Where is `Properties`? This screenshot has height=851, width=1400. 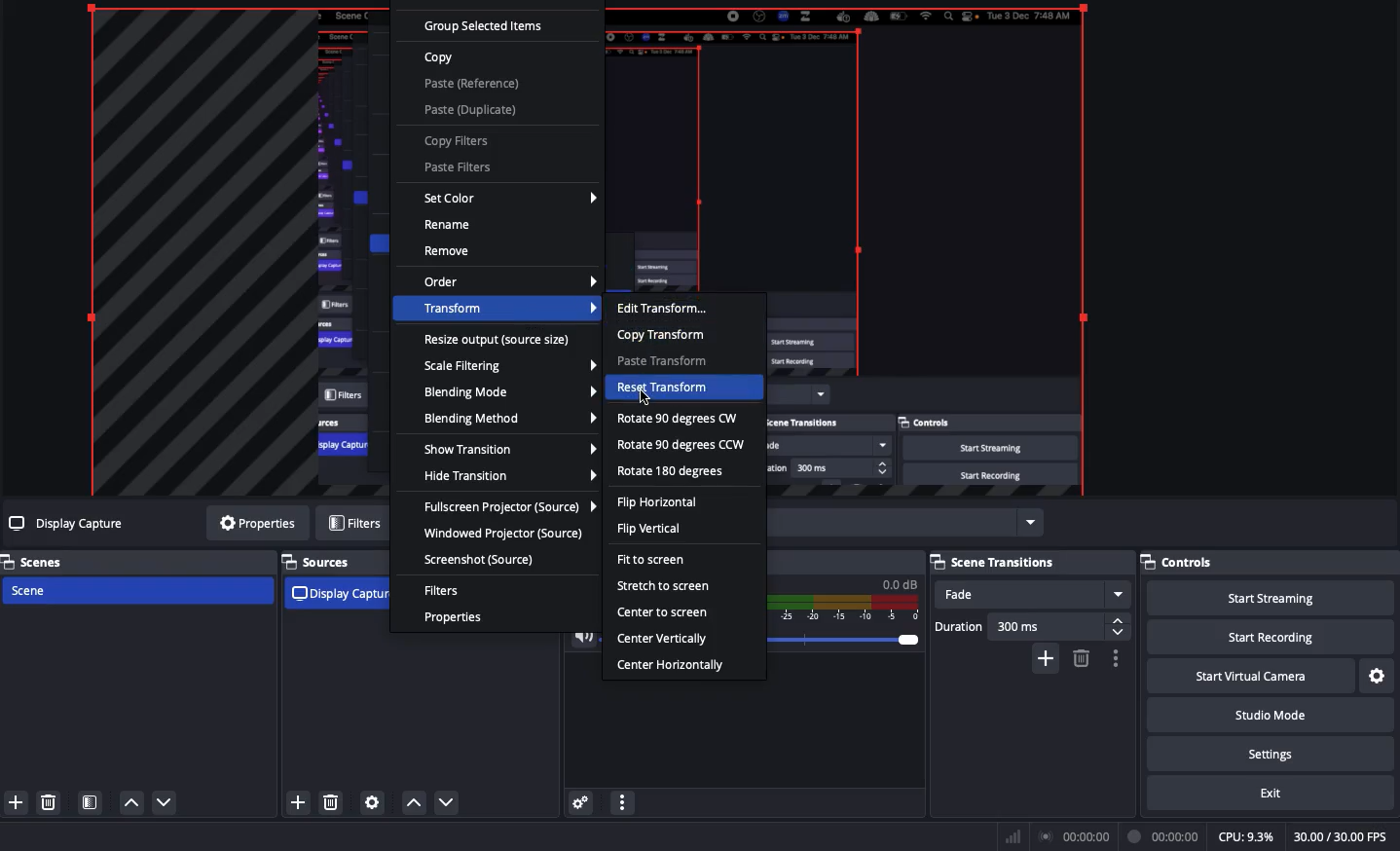
Properties is located at coordinates (259, 525).